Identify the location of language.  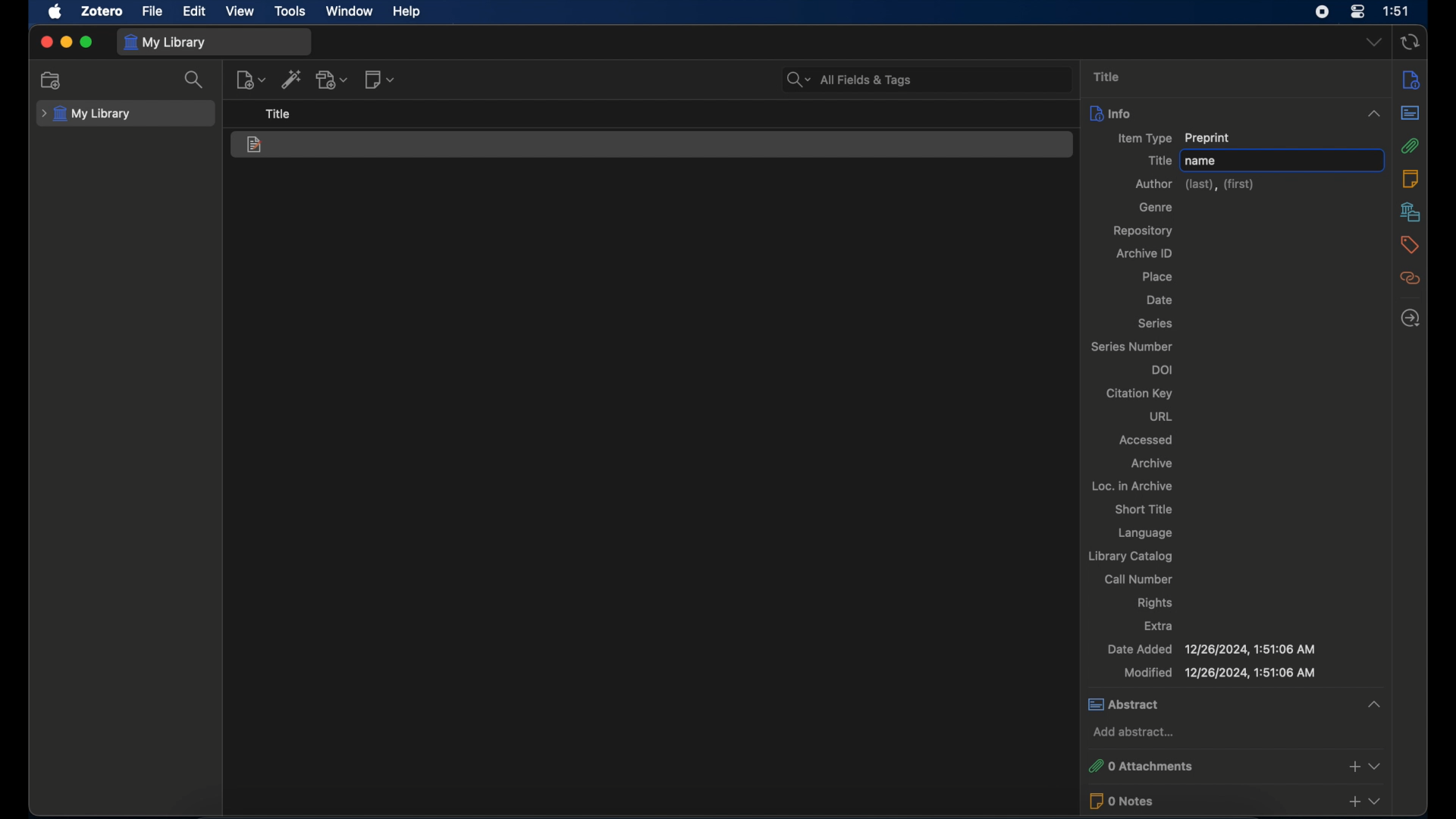
(1147, 532).